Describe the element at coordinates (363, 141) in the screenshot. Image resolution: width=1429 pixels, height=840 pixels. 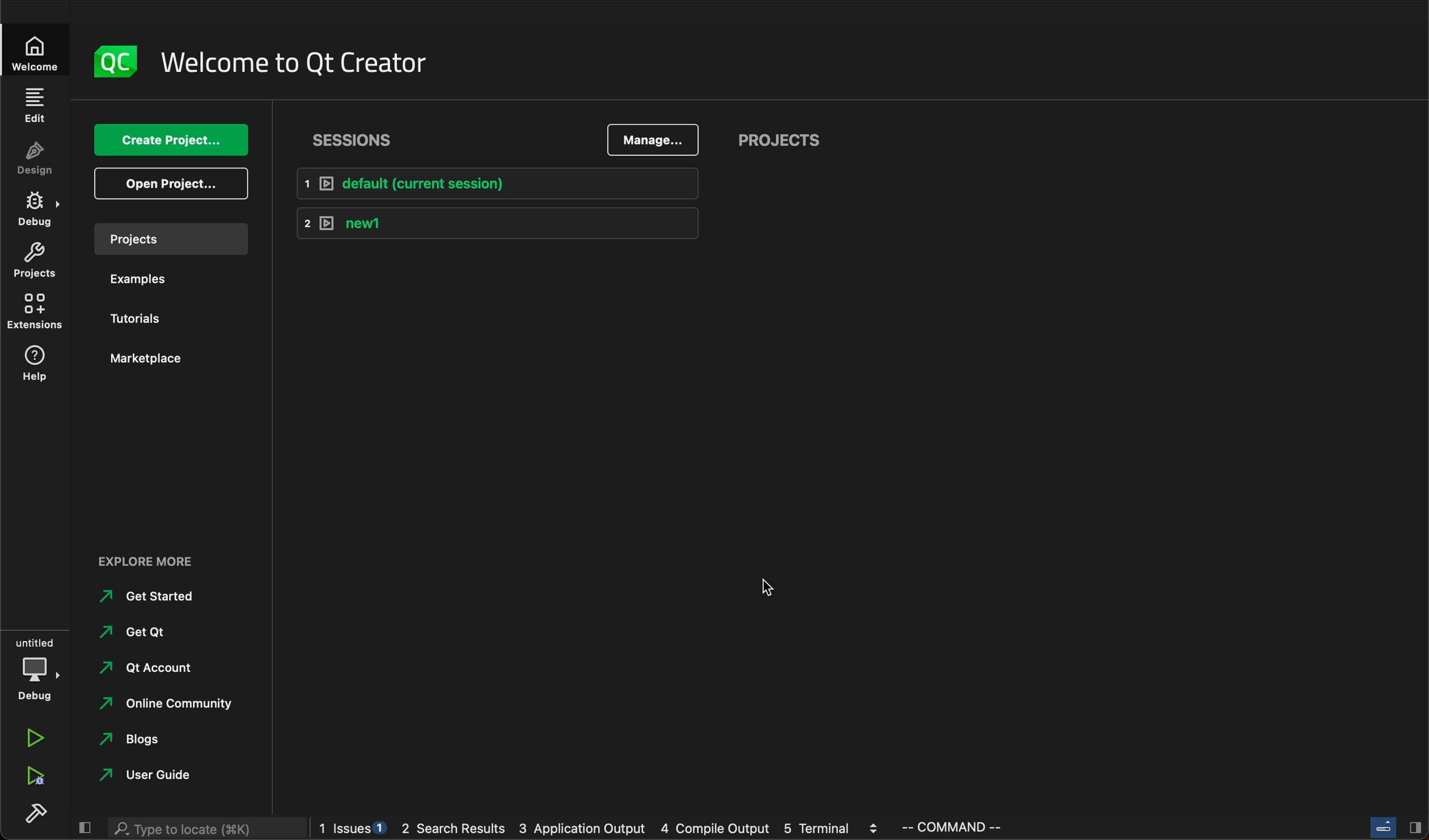
I see `sessions` at that location.